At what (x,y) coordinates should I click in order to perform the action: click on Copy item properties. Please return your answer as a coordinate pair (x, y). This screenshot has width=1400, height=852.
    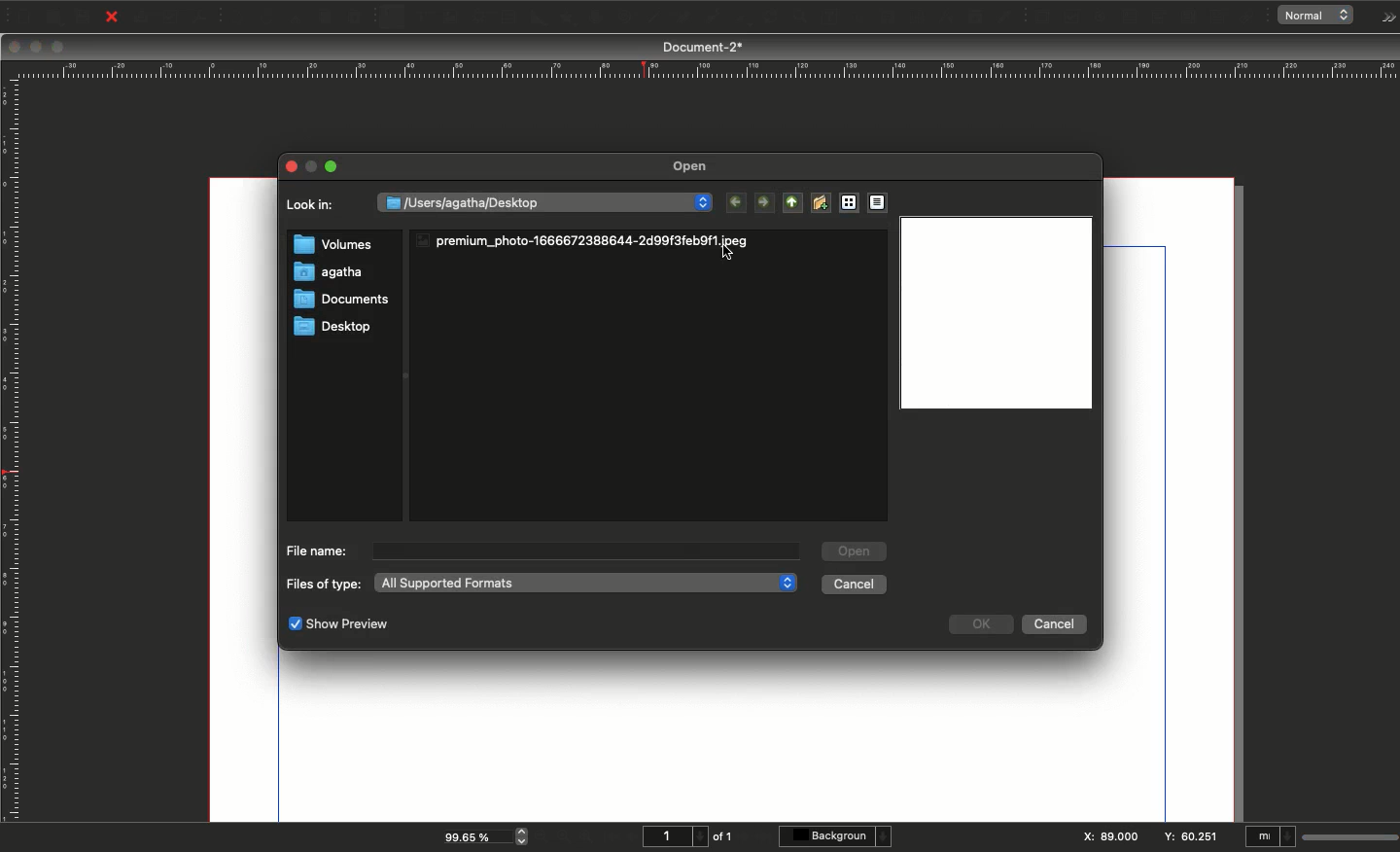
    Looking at the image, I should click on (972, 18).